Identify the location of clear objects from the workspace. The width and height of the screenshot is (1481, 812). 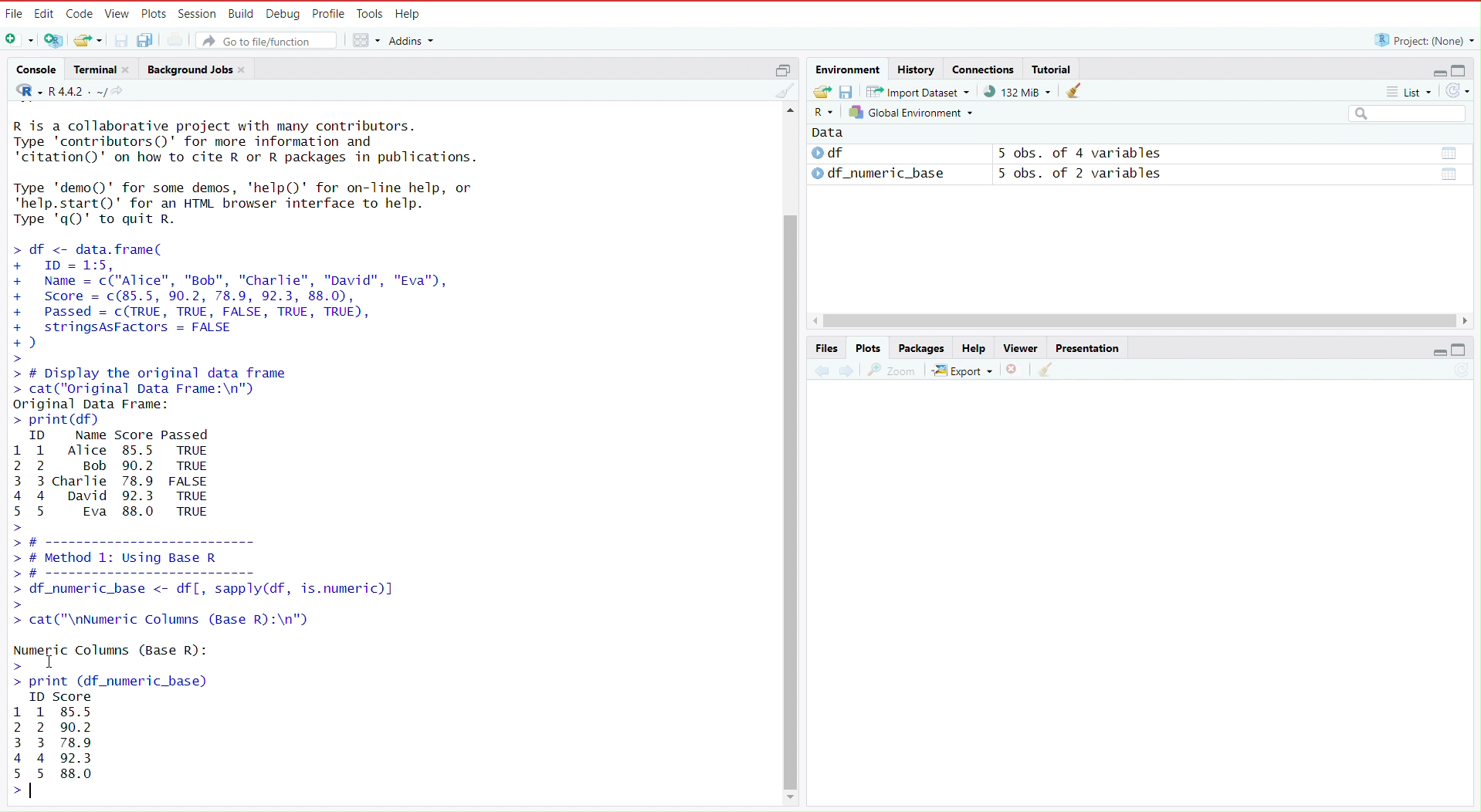
(1068, 91).